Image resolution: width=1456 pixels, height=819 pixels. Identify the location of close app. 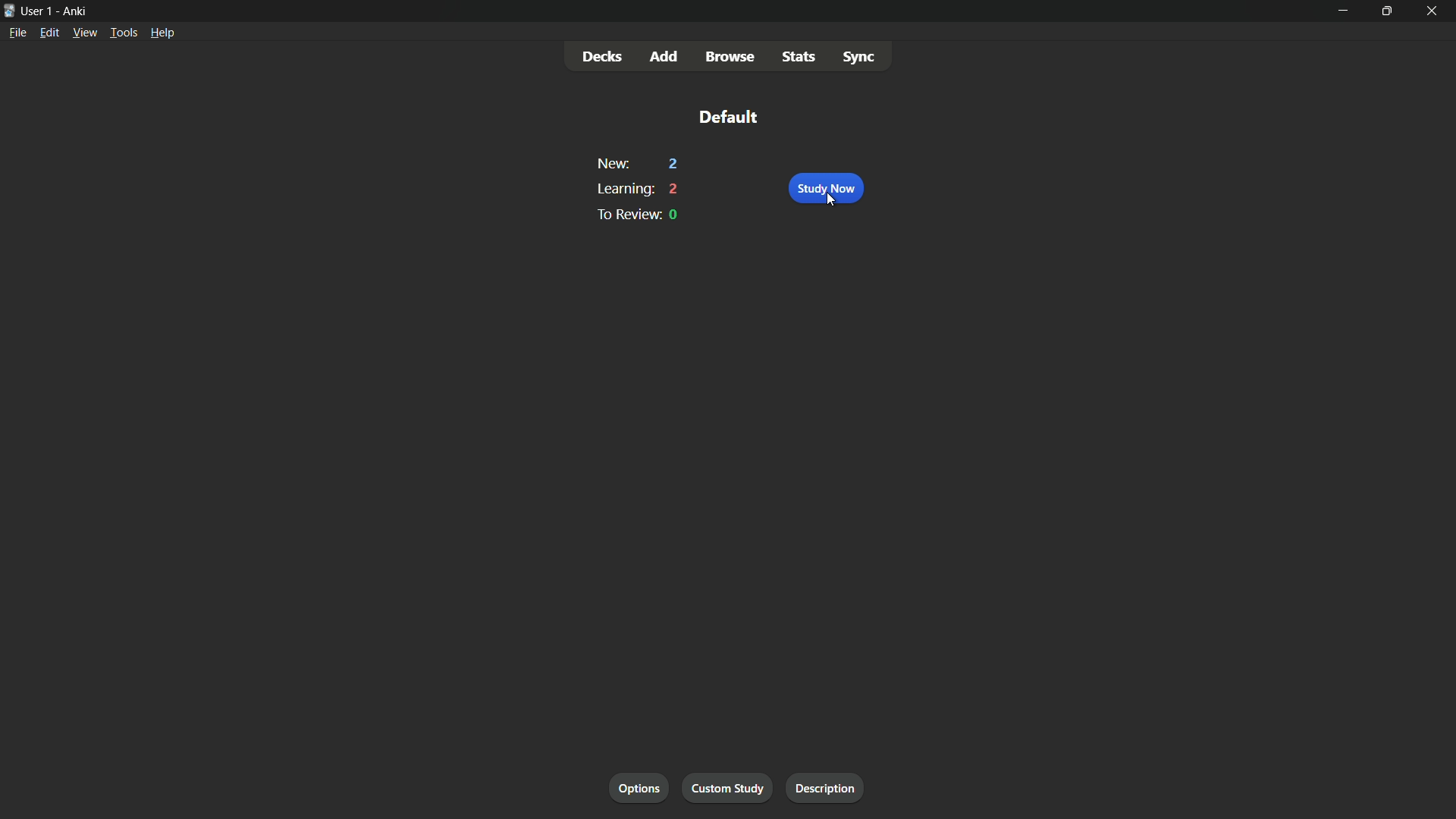
(1433, 11).